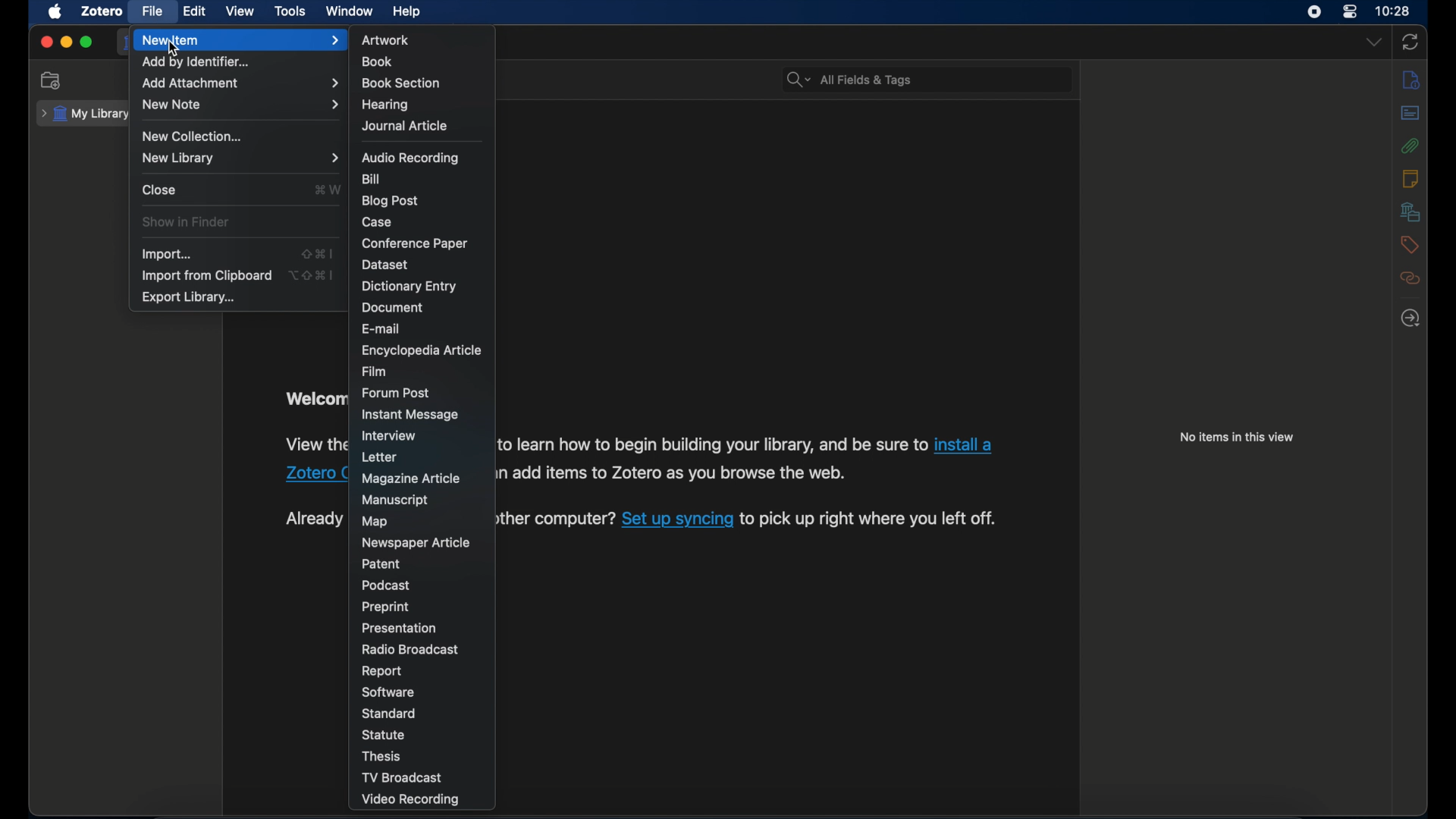 This screenshot has width=1456, height=819. I want to click on obscure text, so click(313, 459).